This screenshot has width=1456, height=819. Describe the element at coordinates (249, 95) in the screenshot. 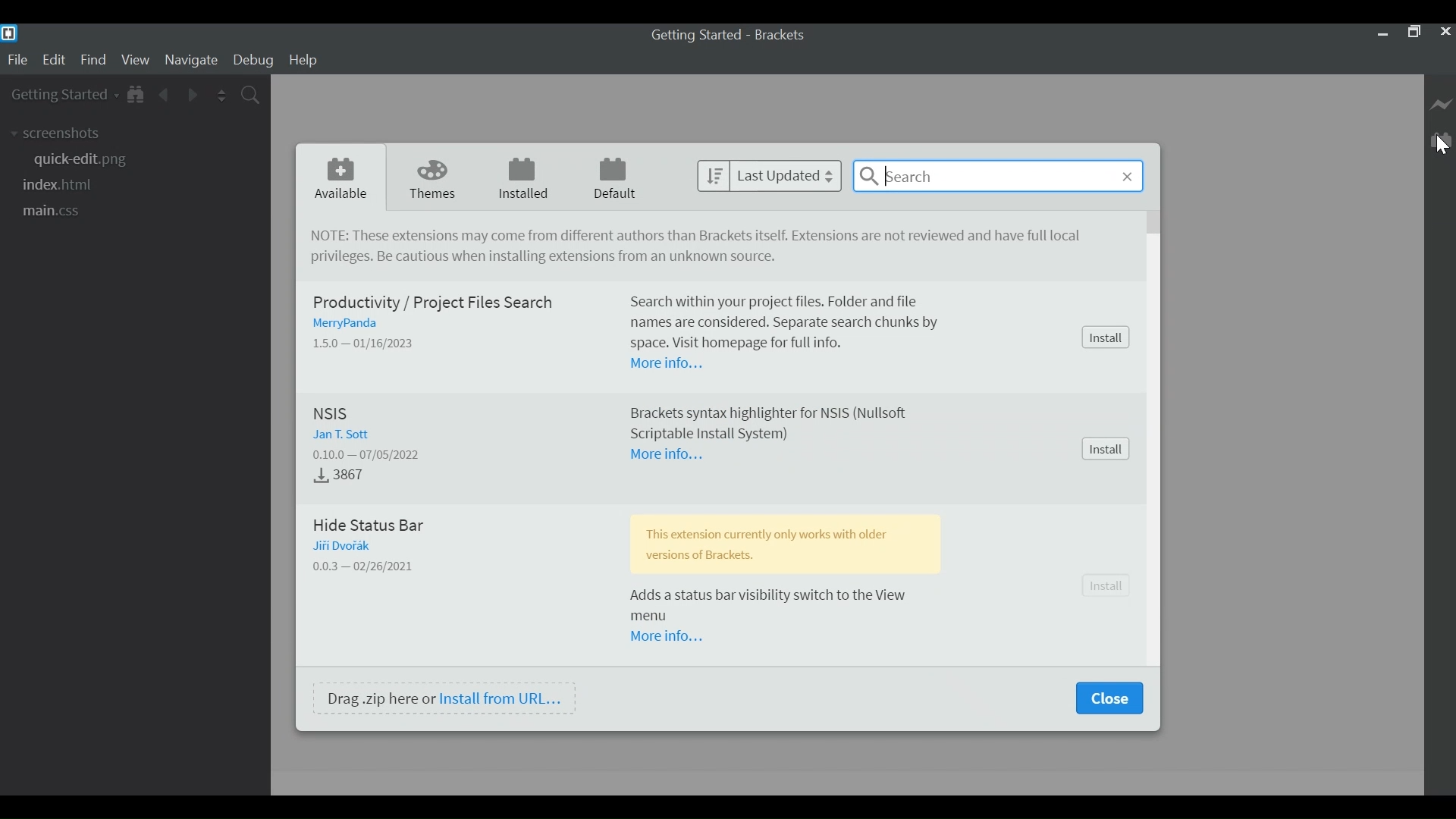

I see `Find in Files` at that location.